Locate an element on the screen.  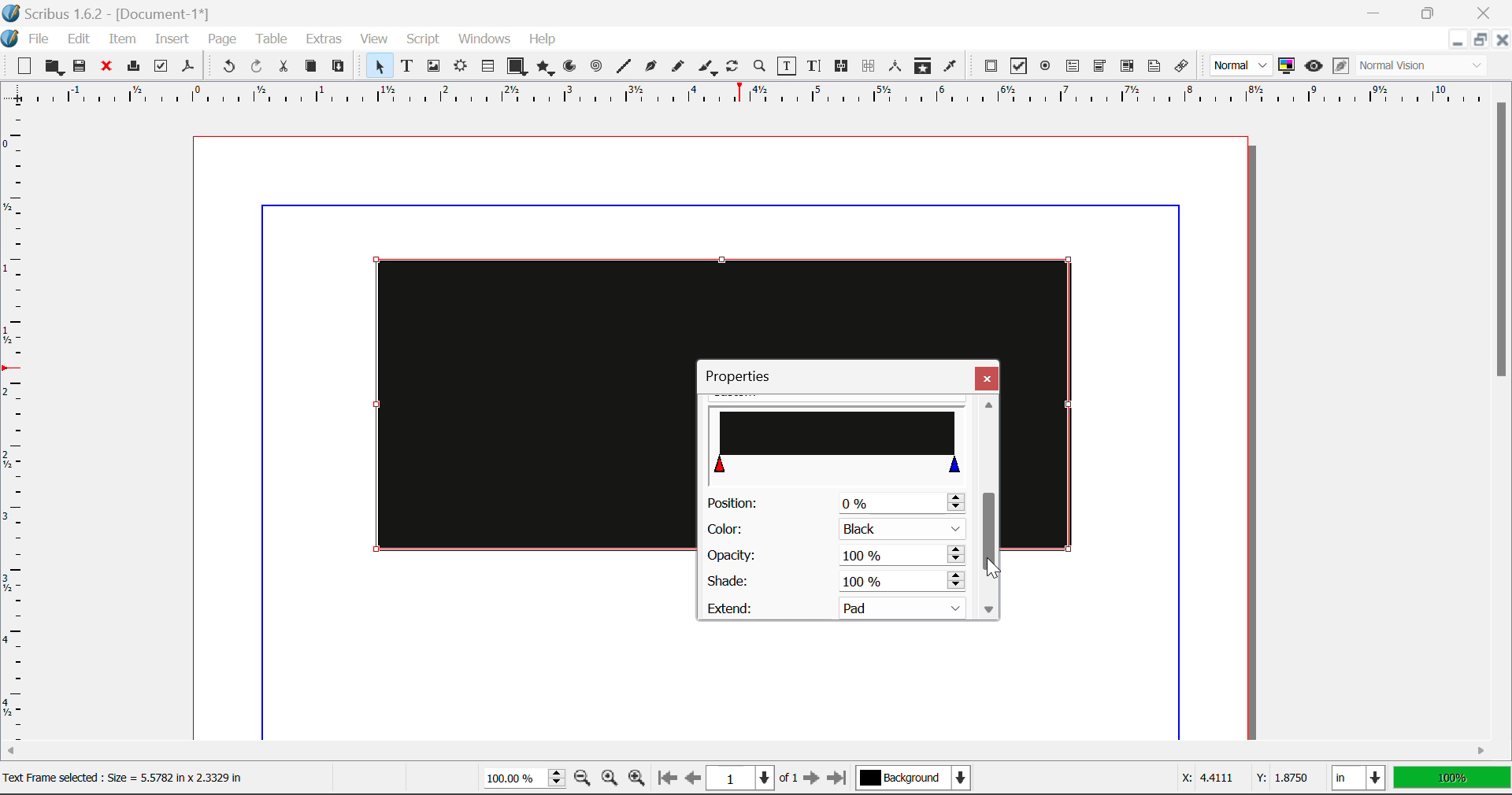
Page 1 of 1 is located at coordinates (752, 780).